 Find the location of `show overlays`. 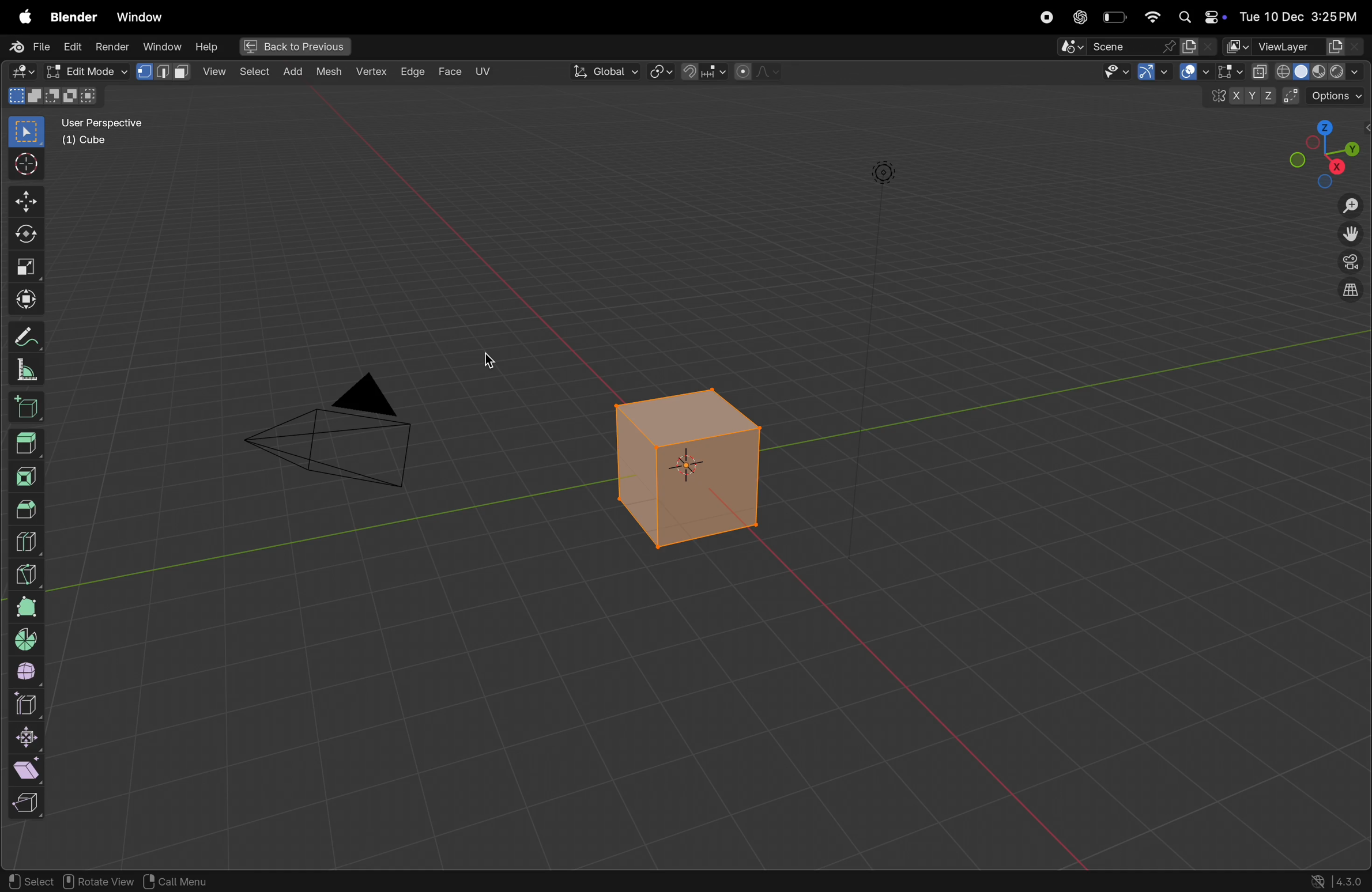

show overlays is located at coordinates (1225, 72).